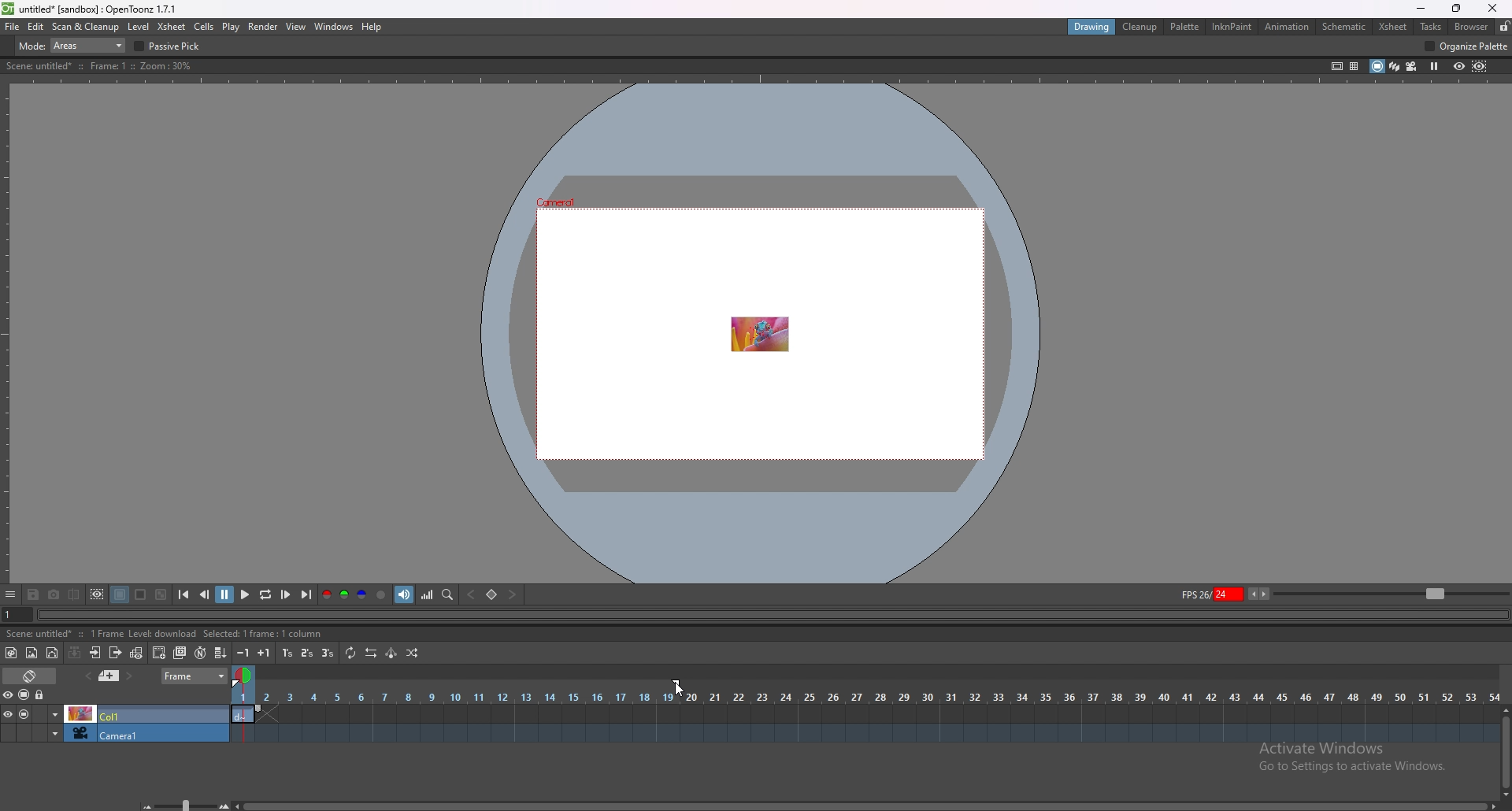 This screenshot has width=1512, height=811. Describe the element at coordinates (231, 28) in the screenshot. I see `play` at that location.